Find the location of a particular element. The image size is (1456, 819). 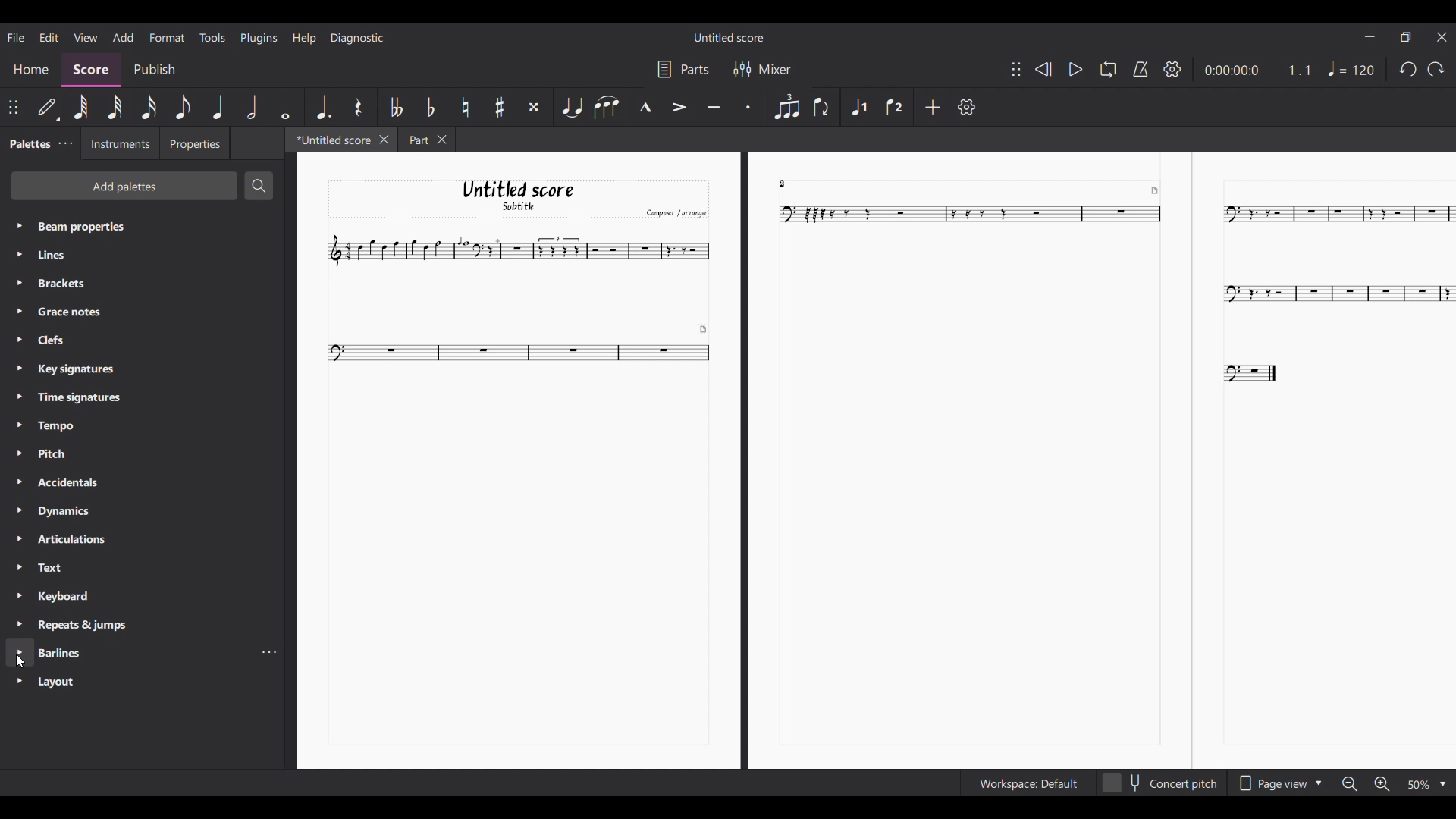

Palette settings is located at coordinates (59, 539).